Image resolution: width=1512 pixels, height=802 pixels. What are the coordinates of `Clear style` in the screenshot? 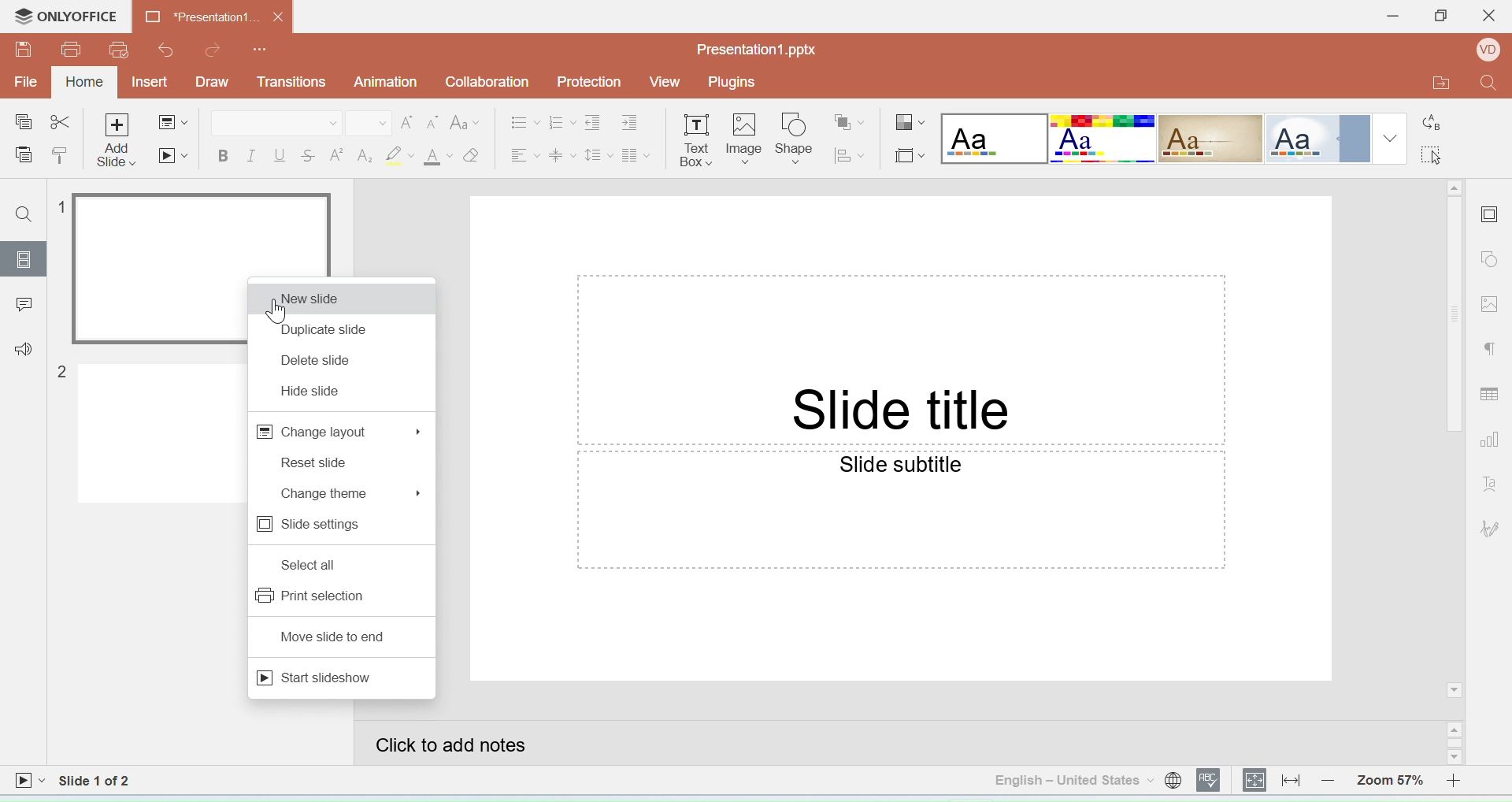 It's located at (472, 155).